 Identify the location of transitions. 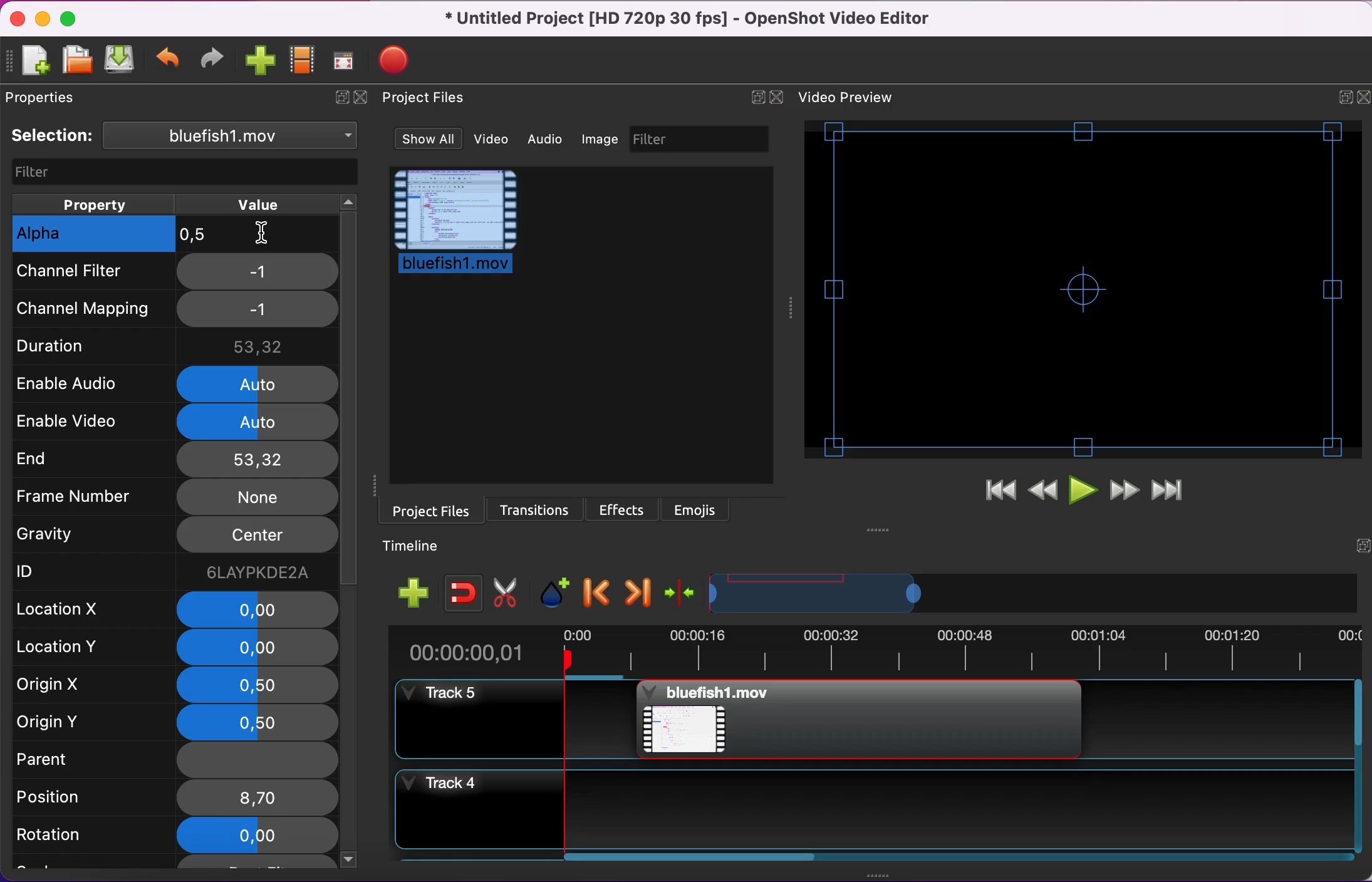
(534, 509).